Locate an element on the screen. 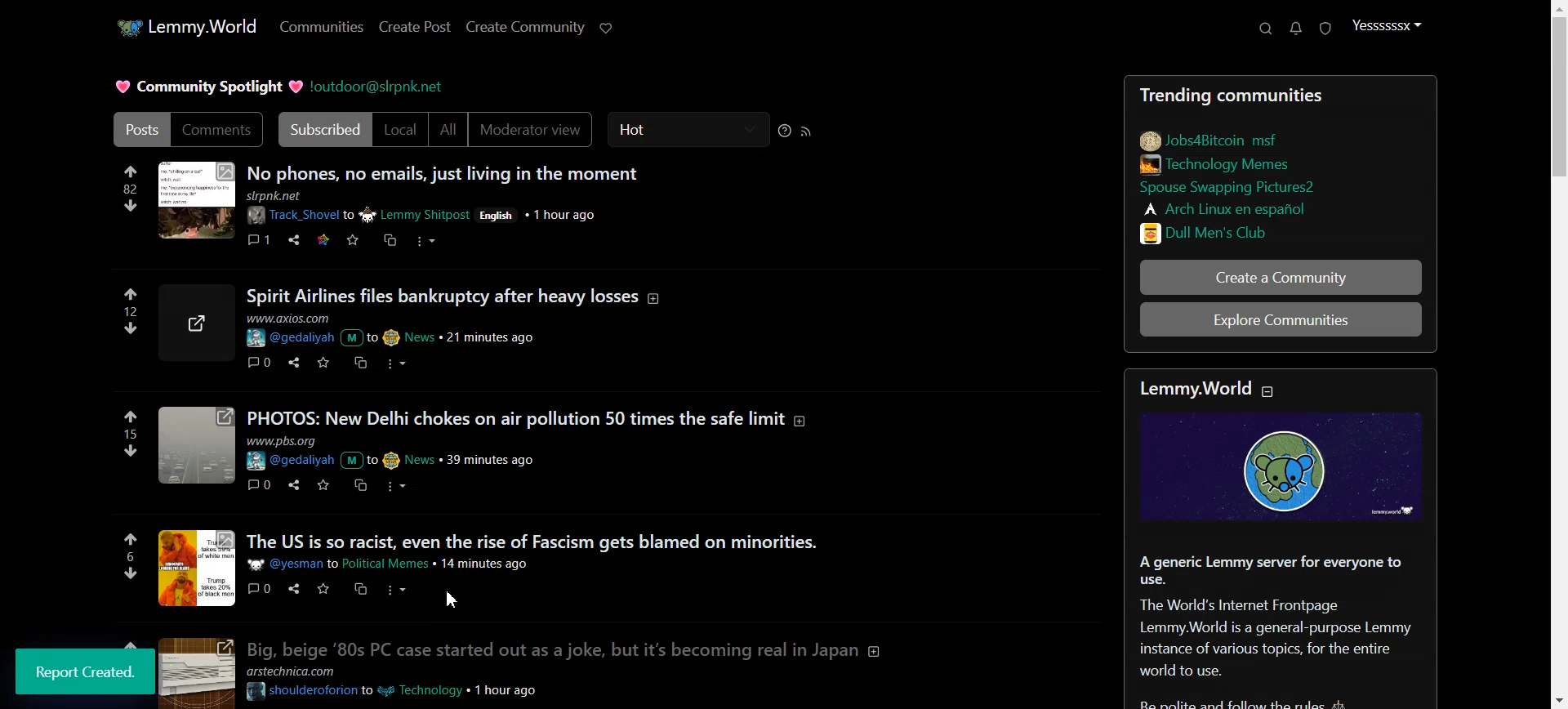 The height and width of the screenshot is (709, 1568). Explore Communities is located at coordinates (1282, 322).